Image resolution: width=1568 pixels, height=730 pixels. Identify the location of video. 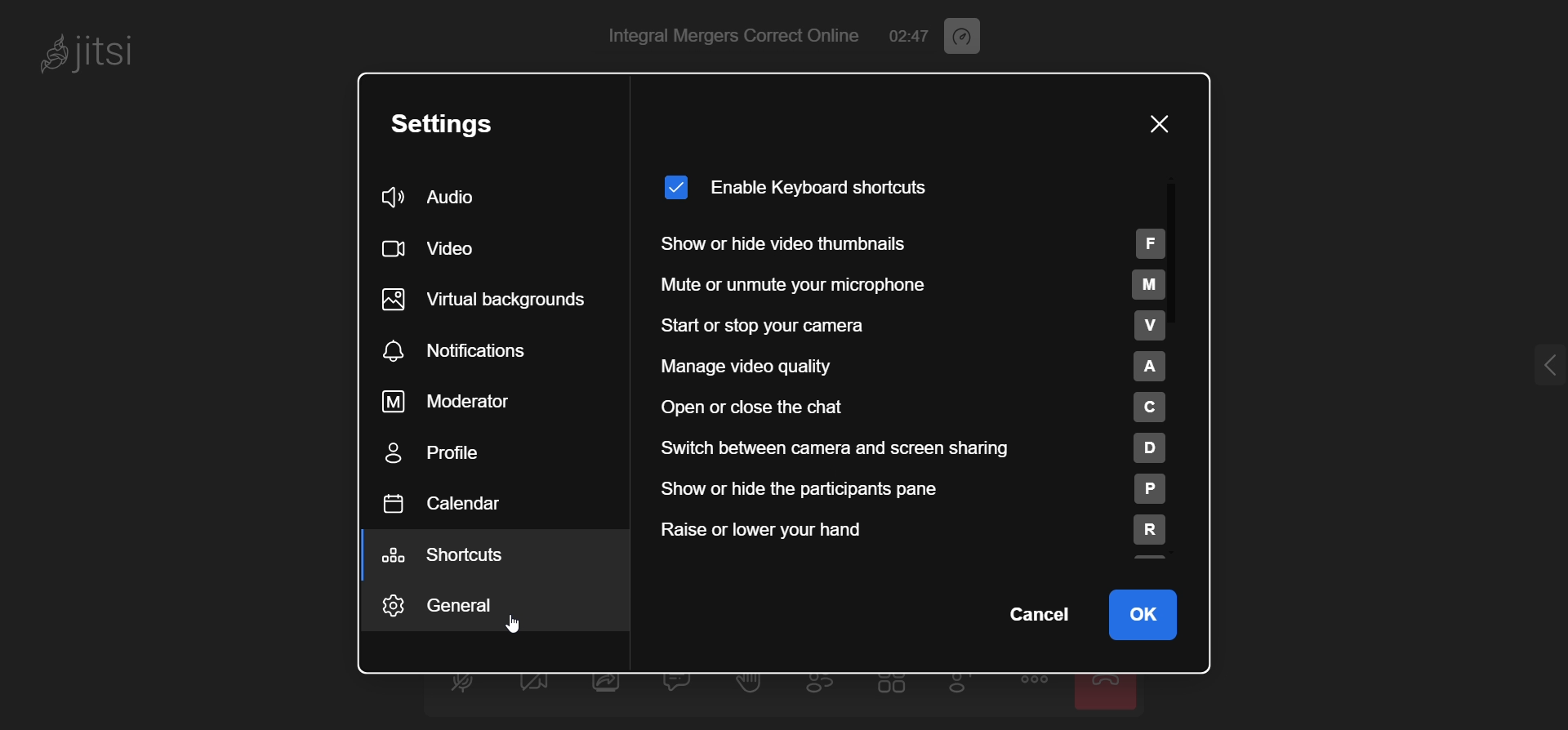
(434, 249).